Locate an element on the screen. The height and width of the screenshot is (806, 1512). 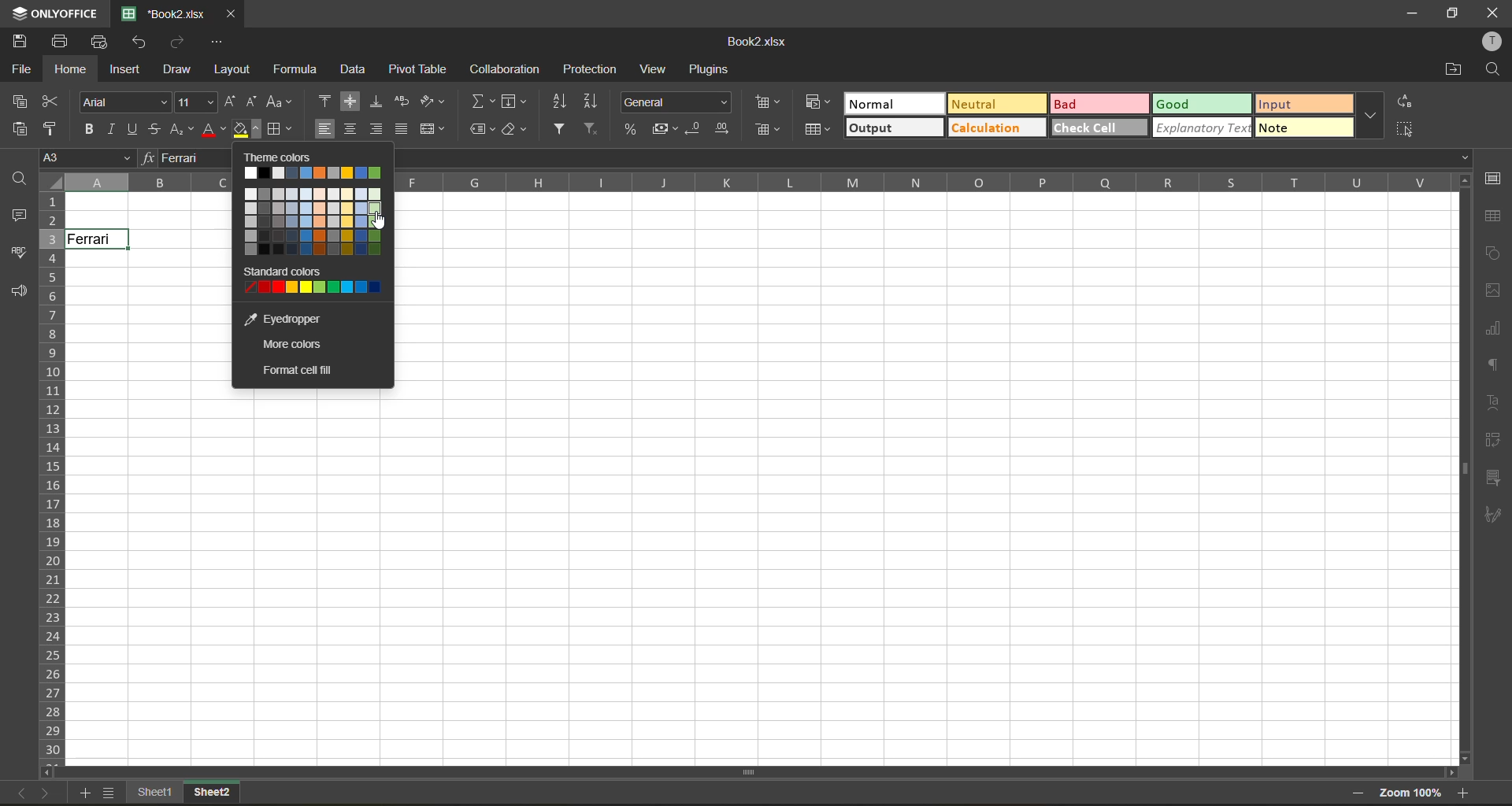
neutral is located at coordinates (993, 104).